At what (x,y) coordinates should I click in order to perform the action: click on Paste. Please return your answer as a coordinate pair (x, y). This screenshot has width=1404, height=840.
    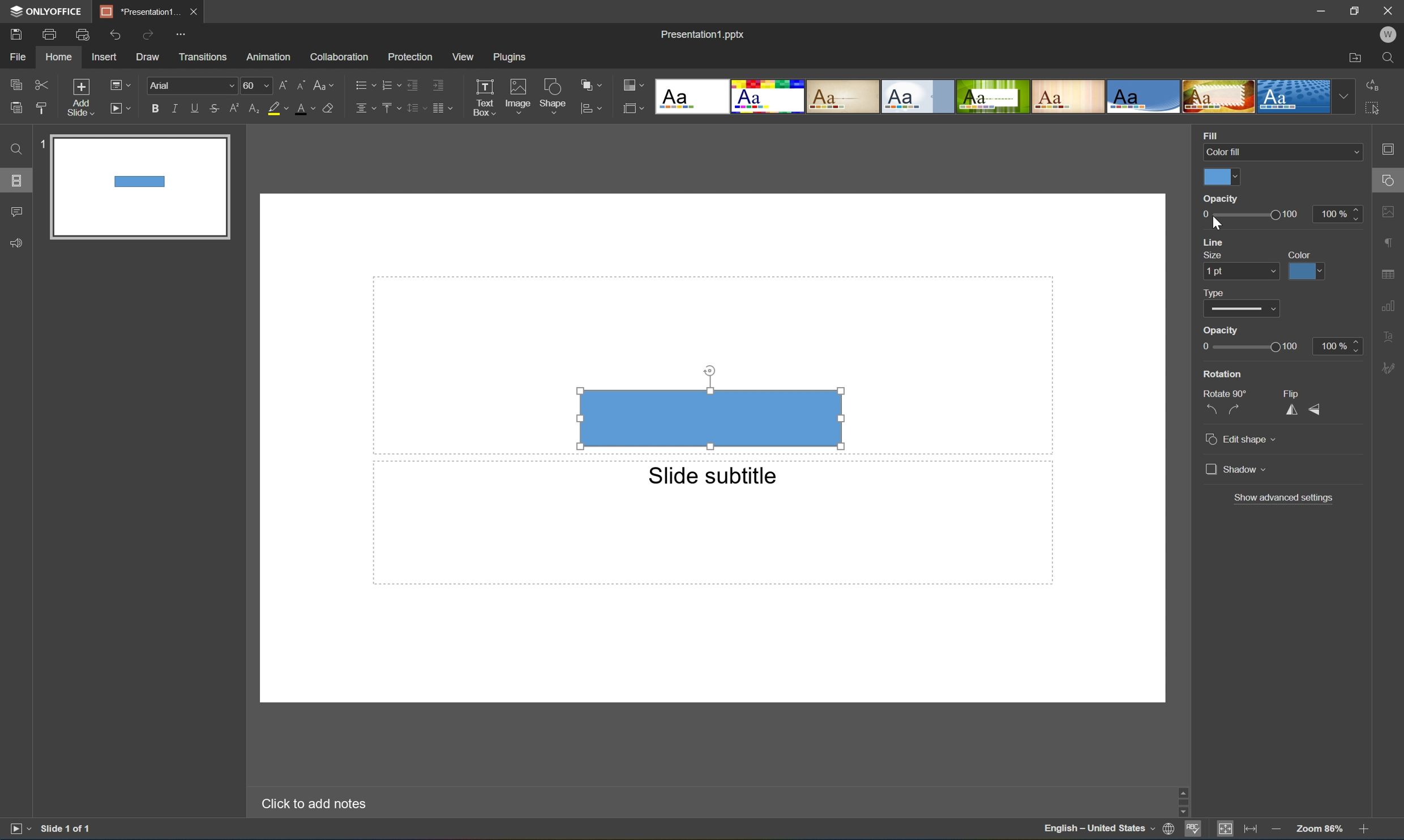
    Looking at the image, I should click on (16, 109).